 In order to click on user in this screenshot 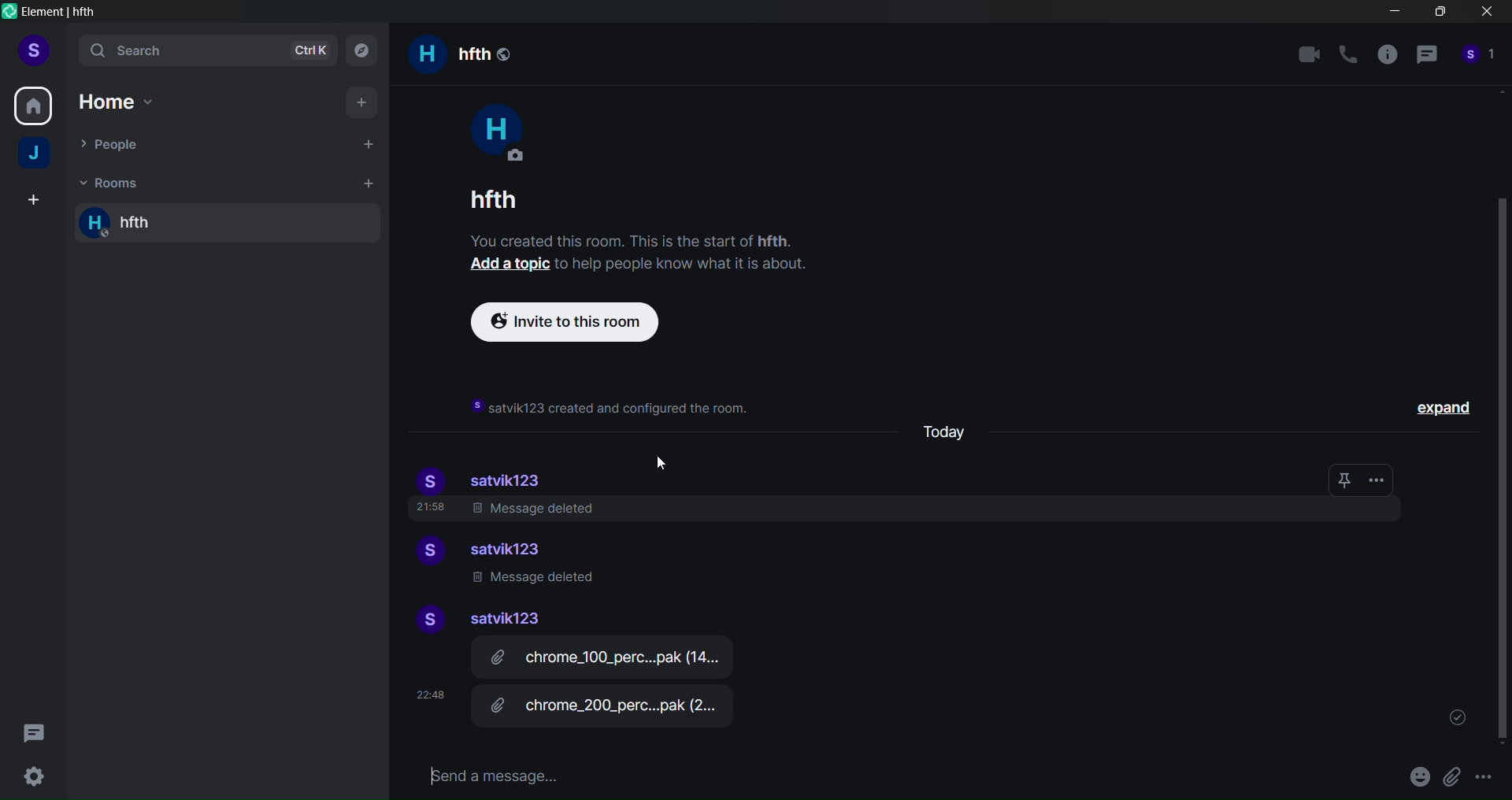, I will do `click(33, 49)`.